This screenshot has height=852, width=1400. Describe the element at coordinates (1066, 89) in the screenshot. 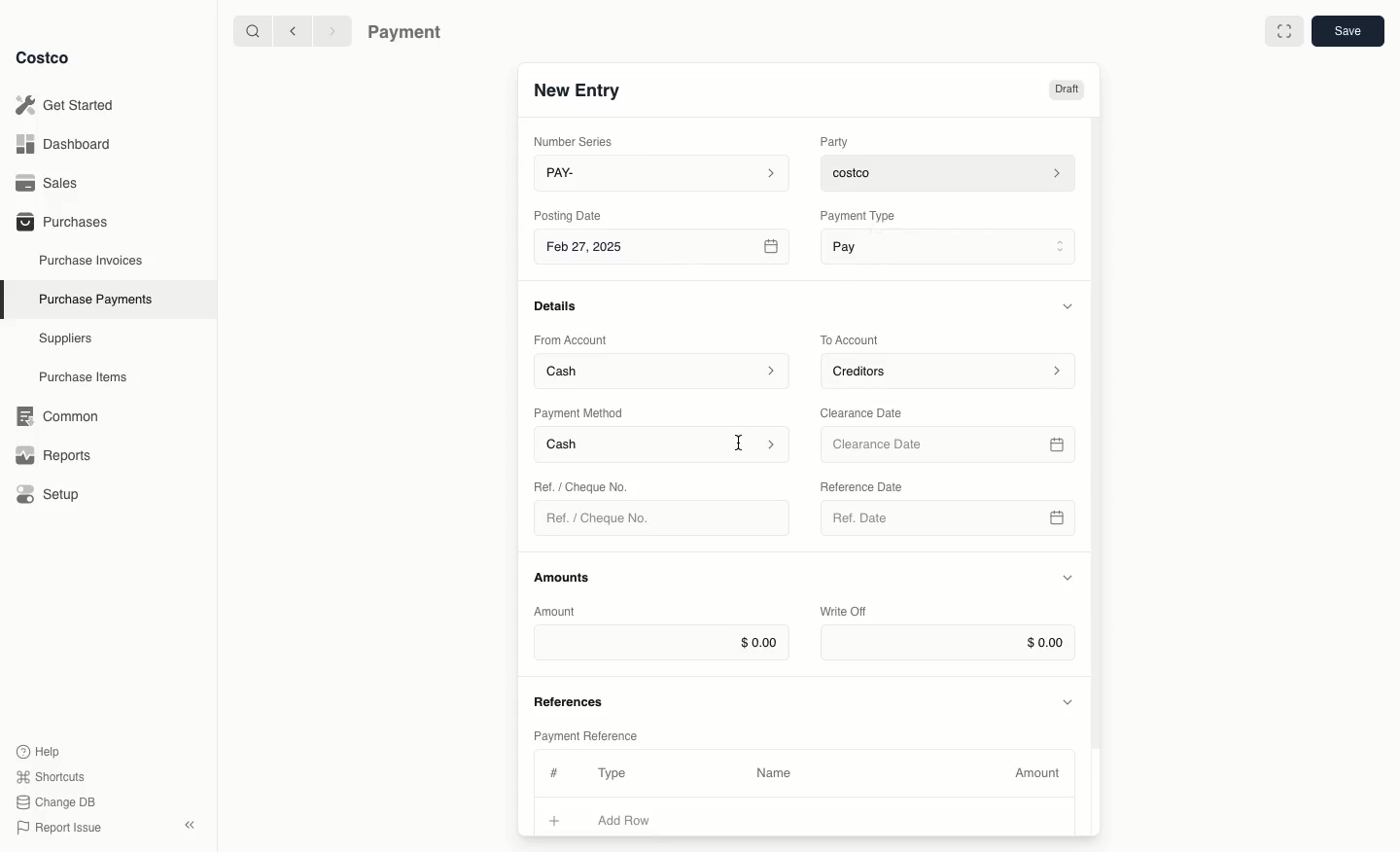

I see `Draft` at that location.